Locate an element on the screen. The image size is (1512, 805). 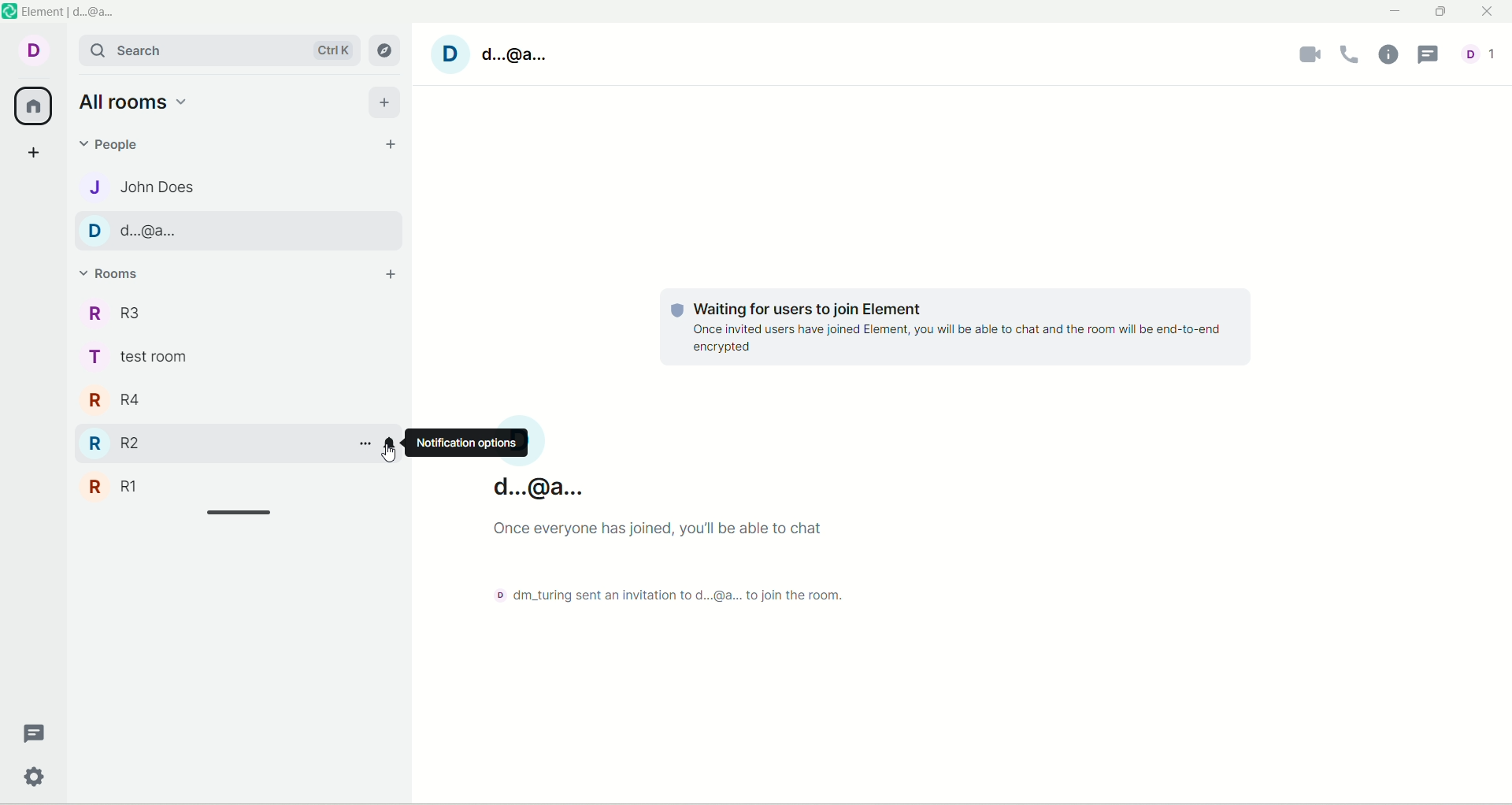
create a space is located at coordinates (35, 152).